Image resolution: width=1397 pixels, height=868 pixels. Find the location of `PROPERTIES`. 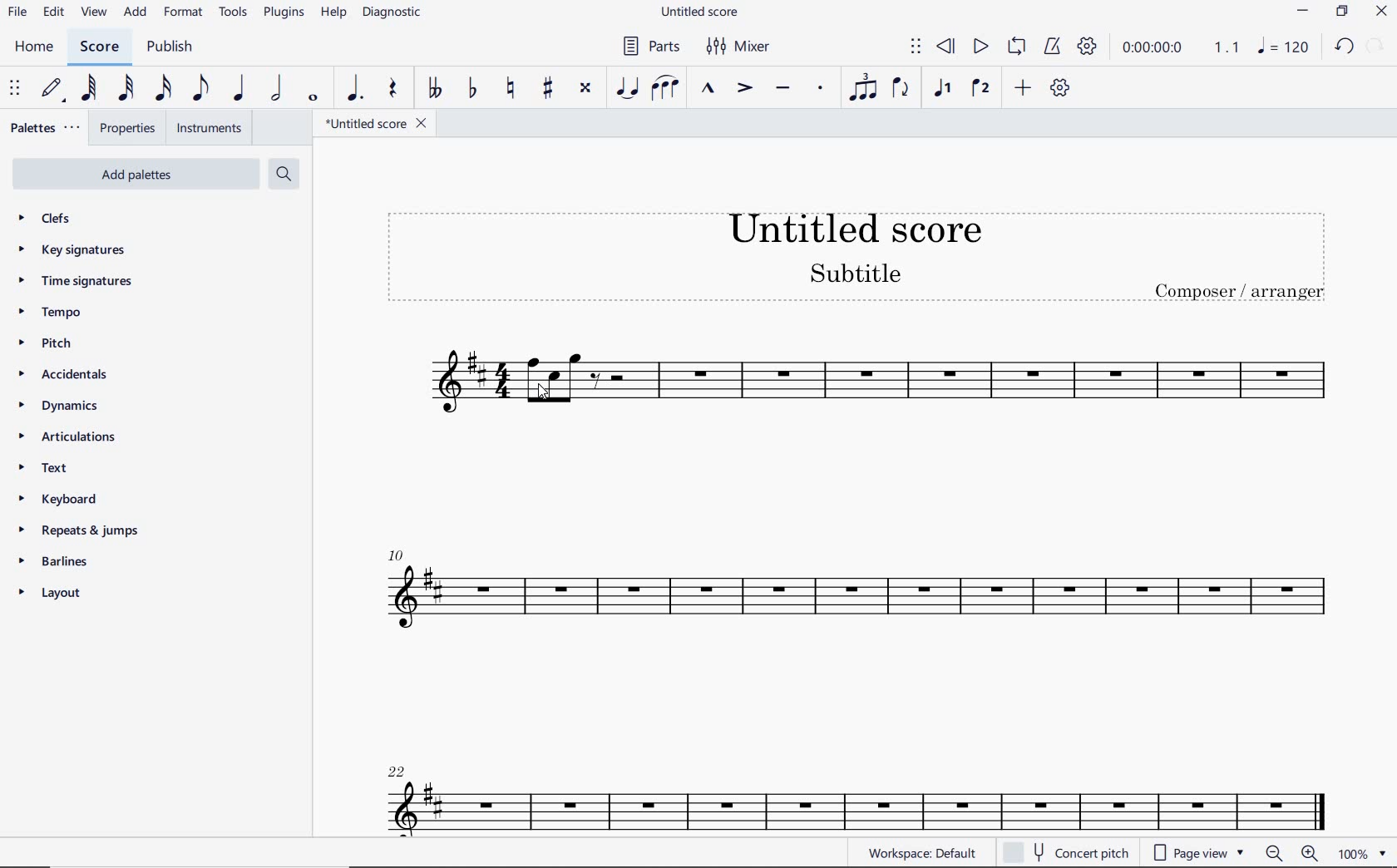

PROPERTIES is located at coordinates (129, 129).